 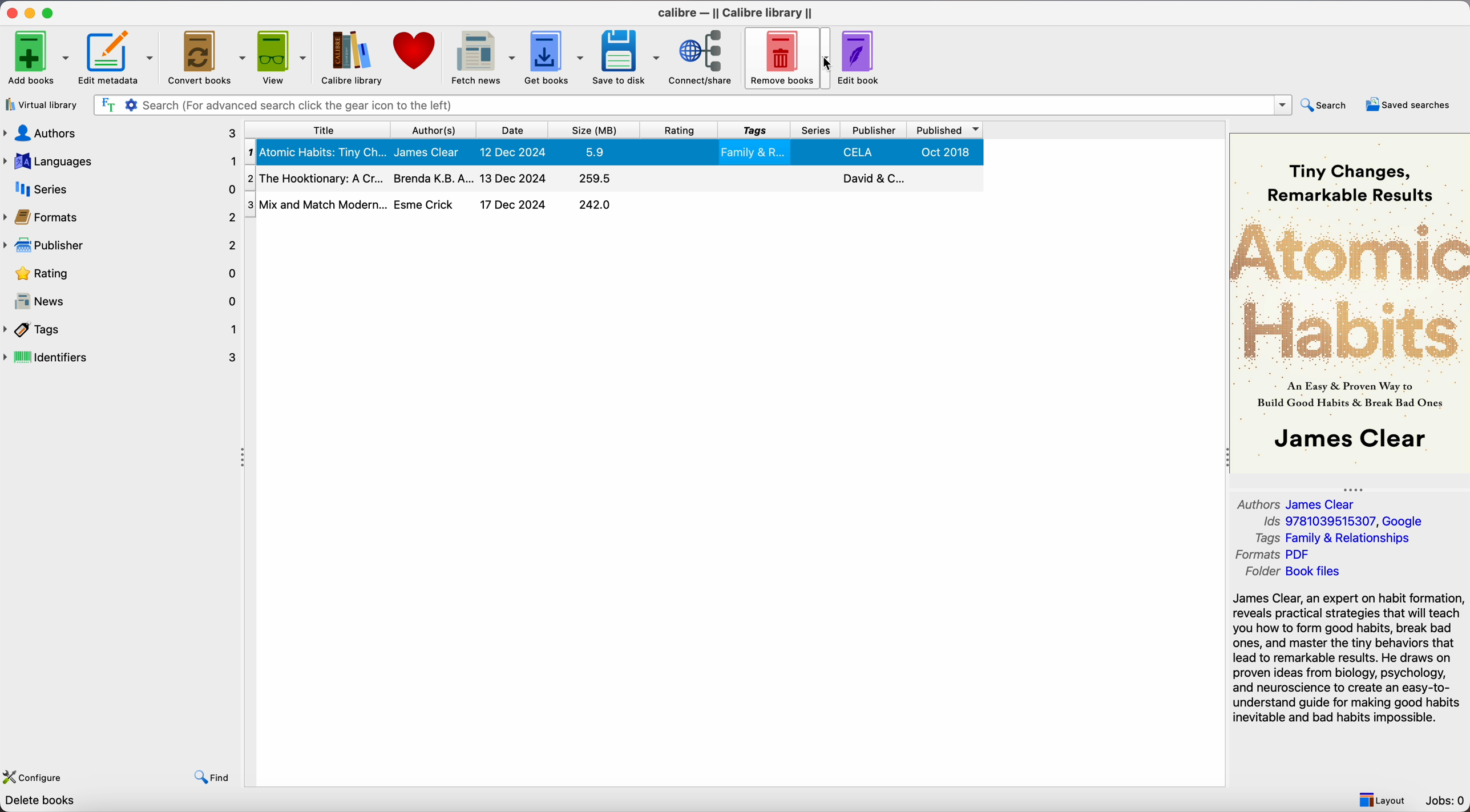 I want to click on edit metadata, so click(x=118, y=58).